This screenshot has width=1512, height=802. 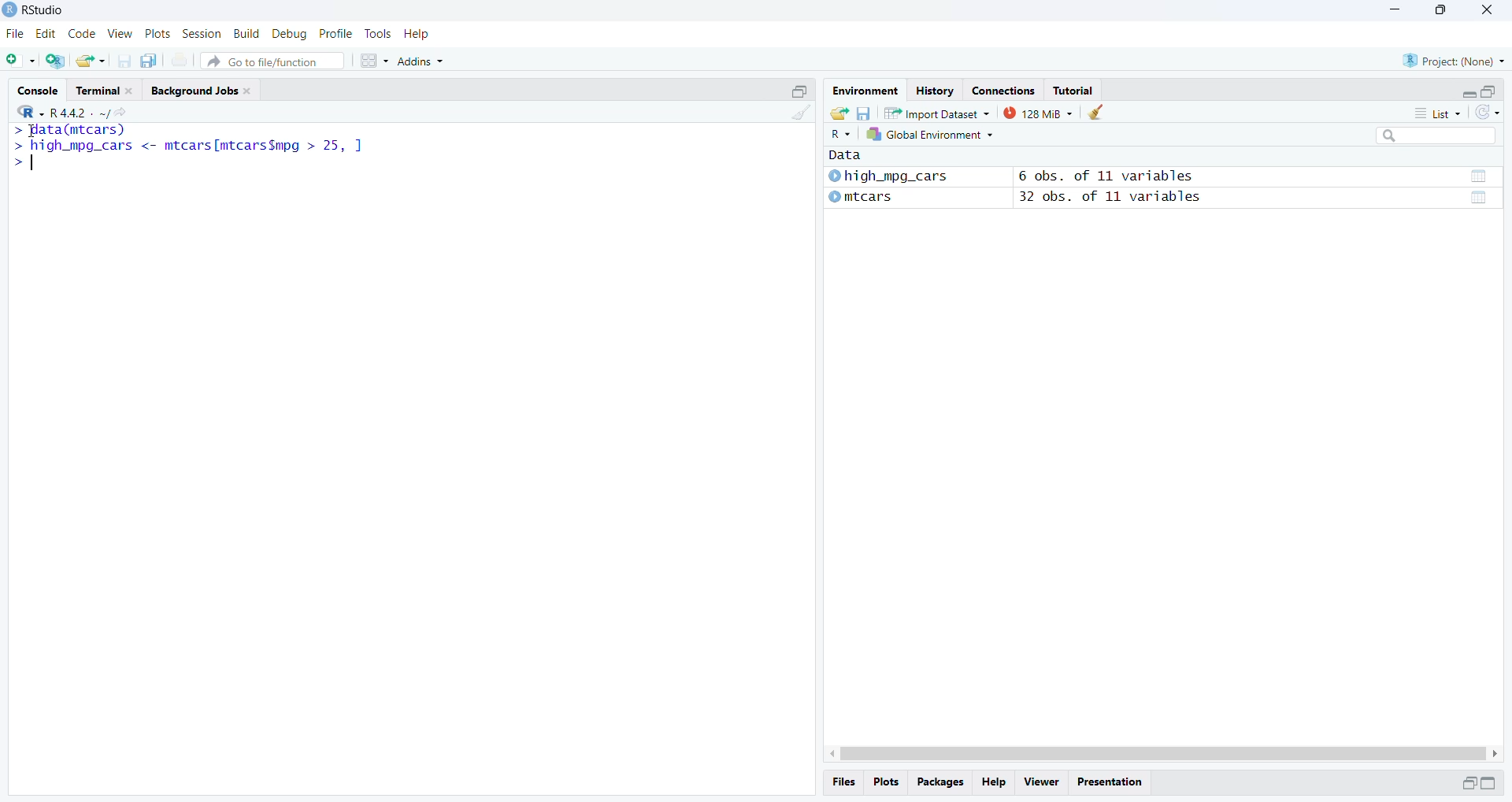 I want to click on Terminal, so click(x=106, y=88).